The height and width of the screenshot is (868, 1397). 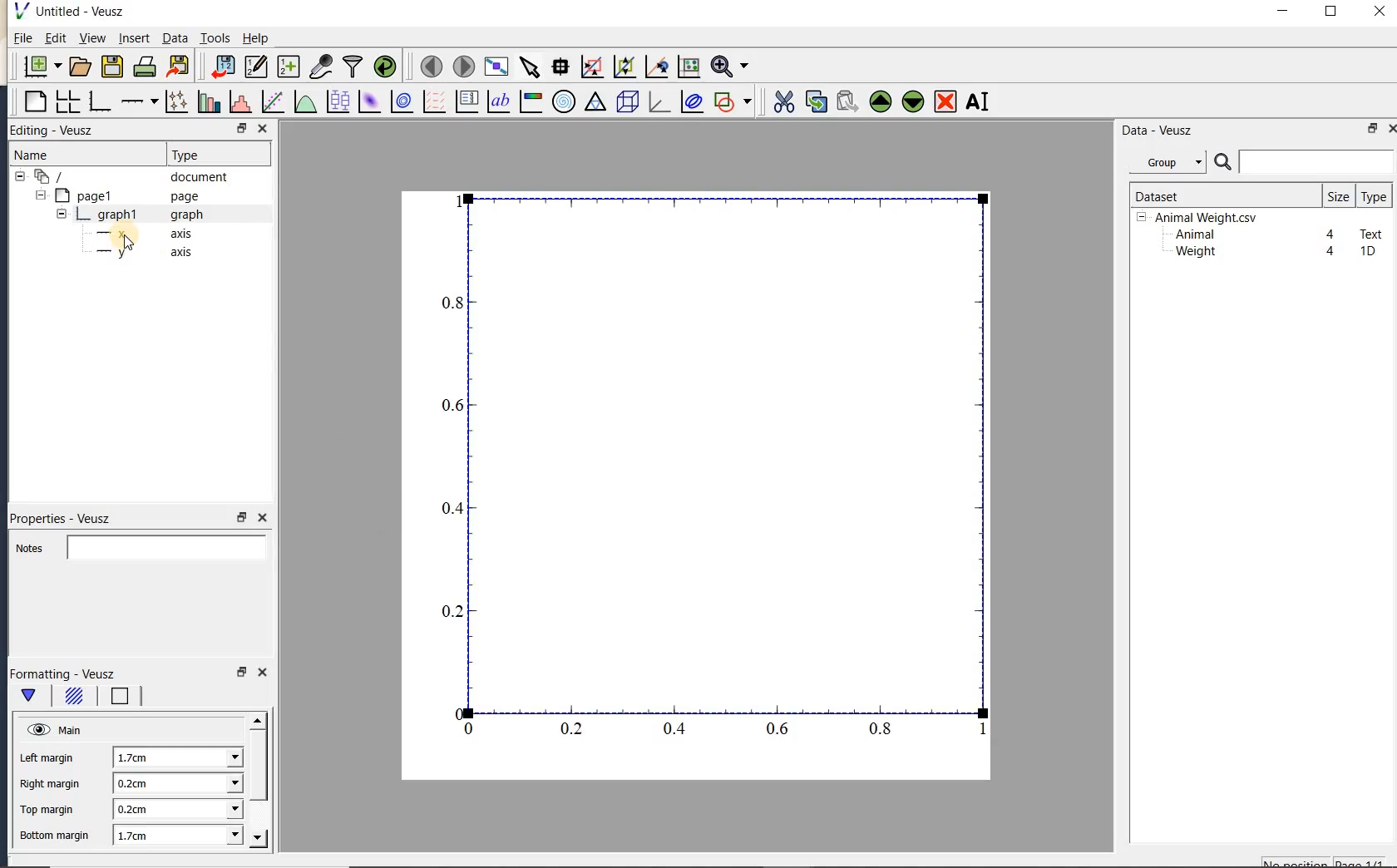 What do you see at coordinates (139, 101) in the screenshot?
I see `add an axis to the plot` at bounding box center [139, 101].